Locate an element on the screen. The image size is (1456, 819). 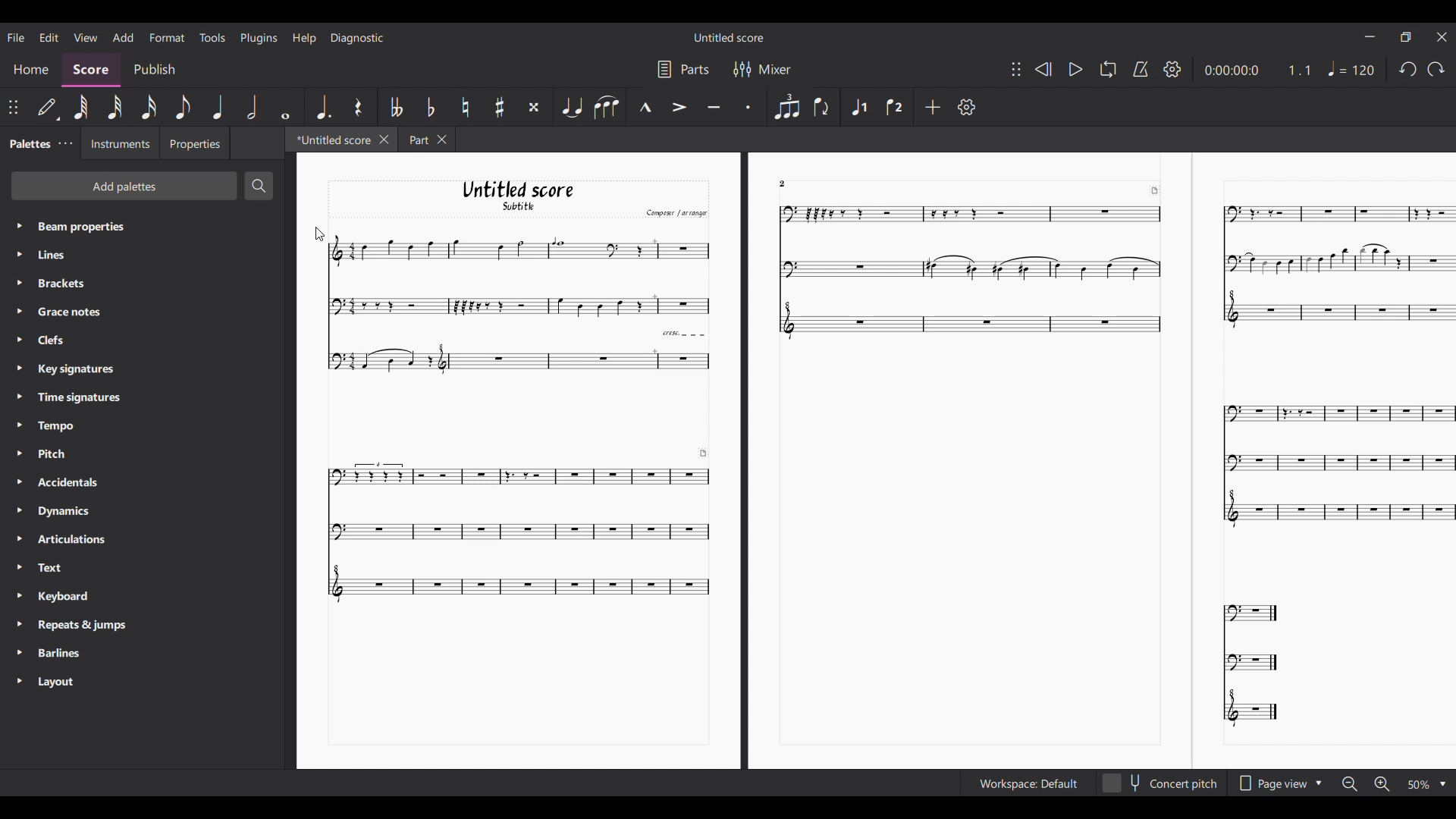
 is located at coordinates (972, 319).